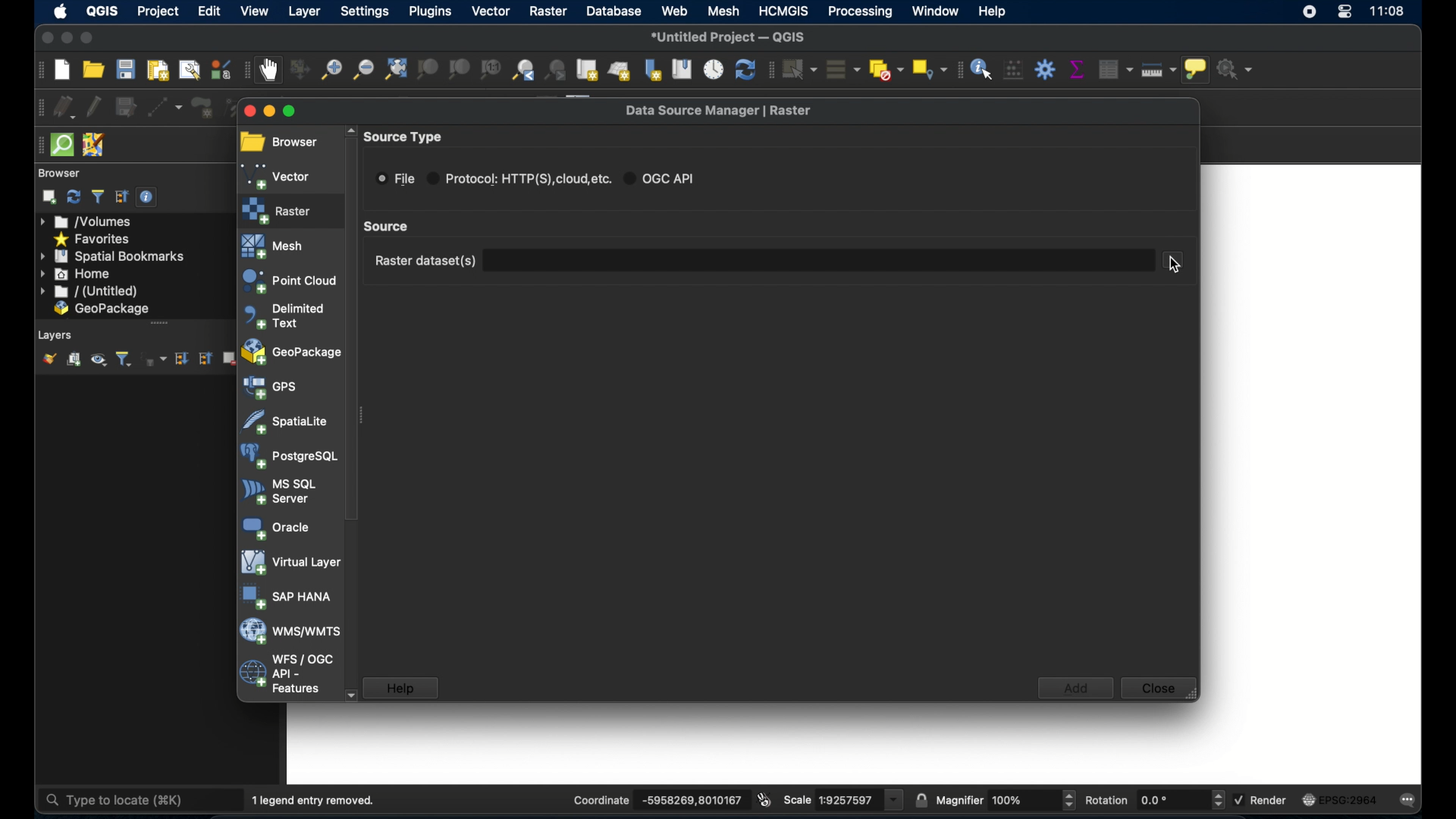  Describe the element at coordinates (1237, 69) in the screenshot. I see `no action selected` at that location.